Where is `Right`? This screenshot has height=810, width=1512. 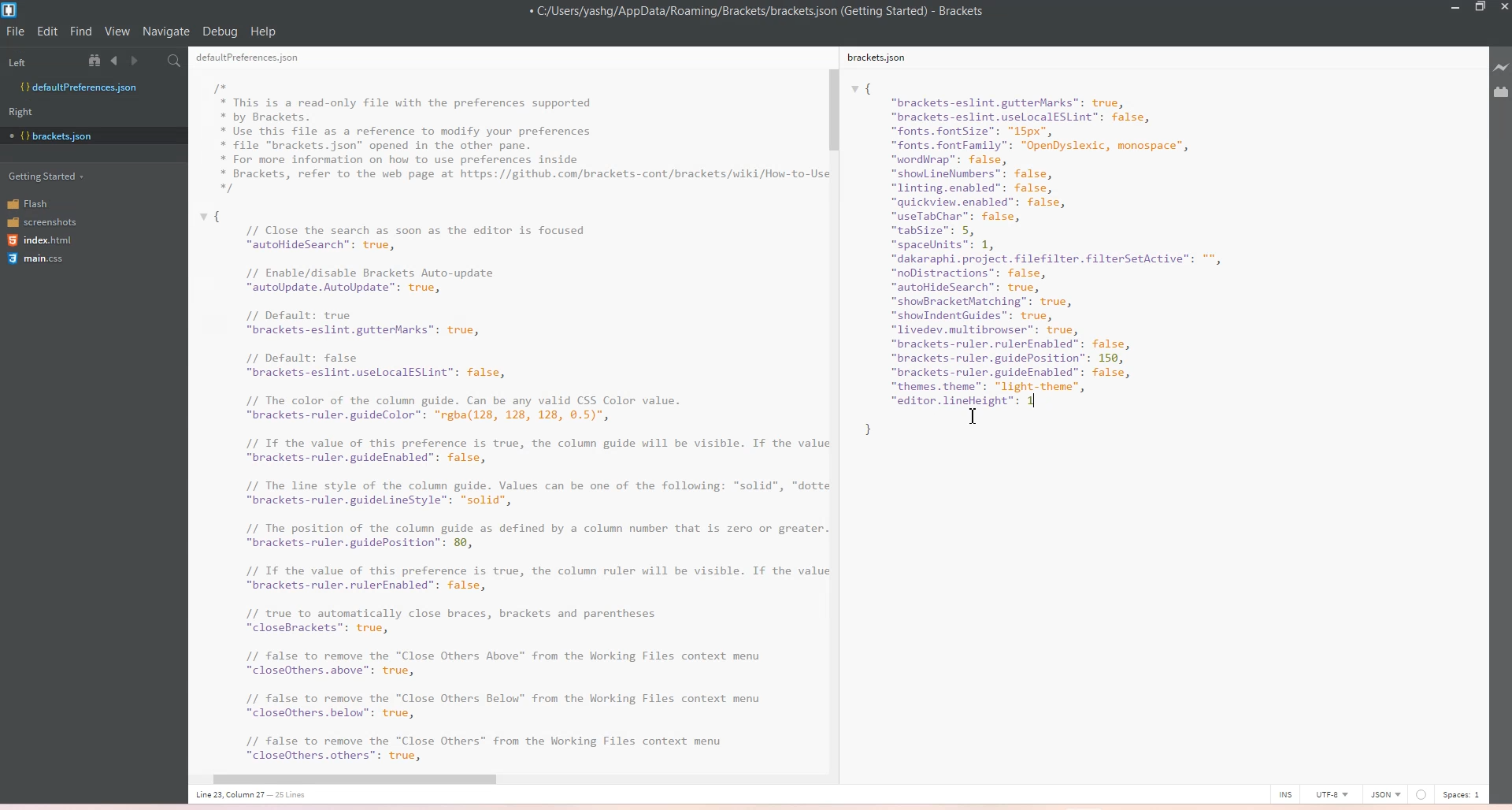 Right is located at coordinates (26, 111).